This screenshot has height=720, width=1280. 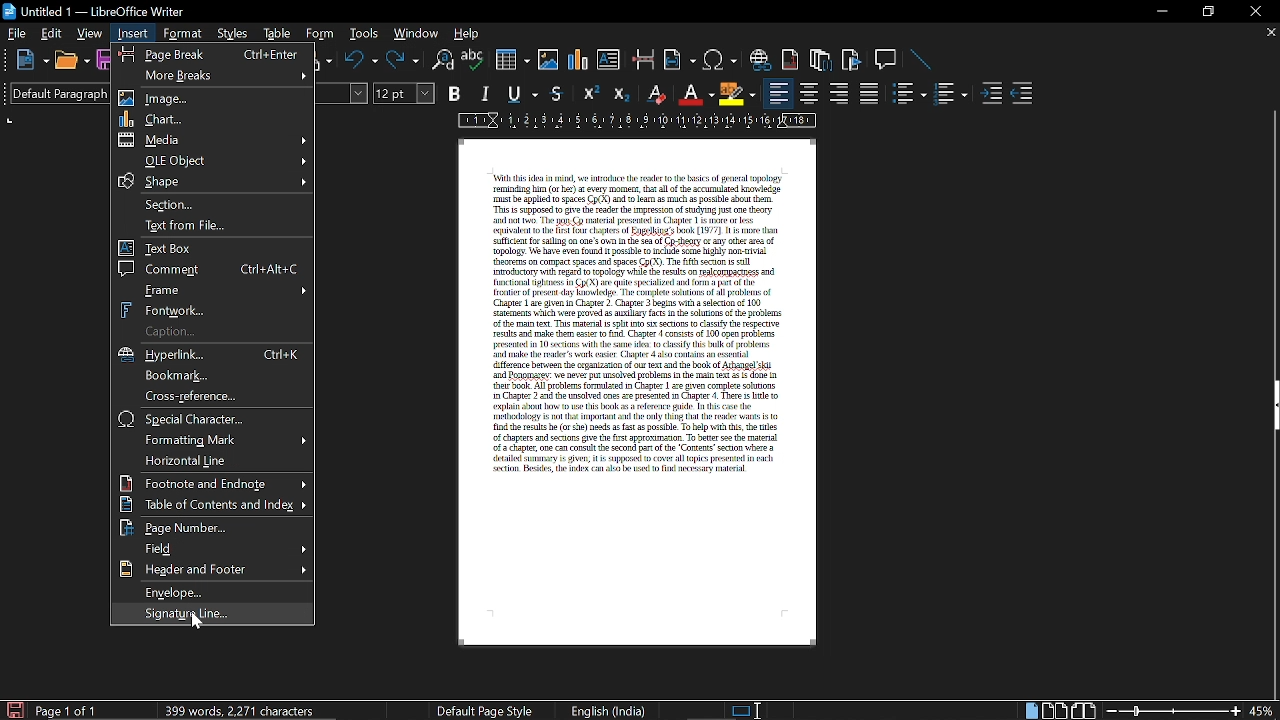 What do you see at coordinates (210, 268) in the screenshot?
I see `comment` at bounding box center [210, 268].